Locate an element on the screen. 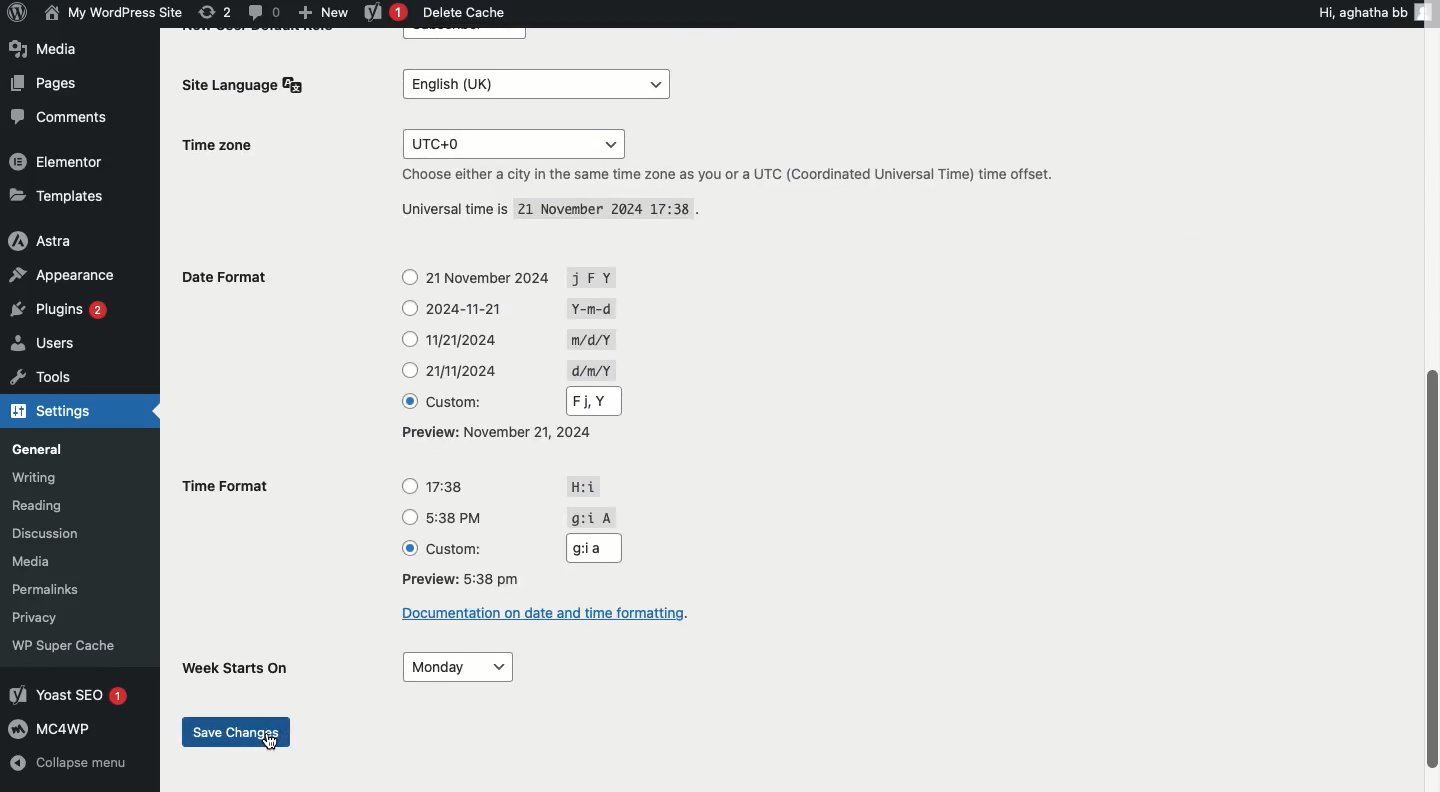 The image size is (1440, 792). Comment is located at coordinates (56, 120).